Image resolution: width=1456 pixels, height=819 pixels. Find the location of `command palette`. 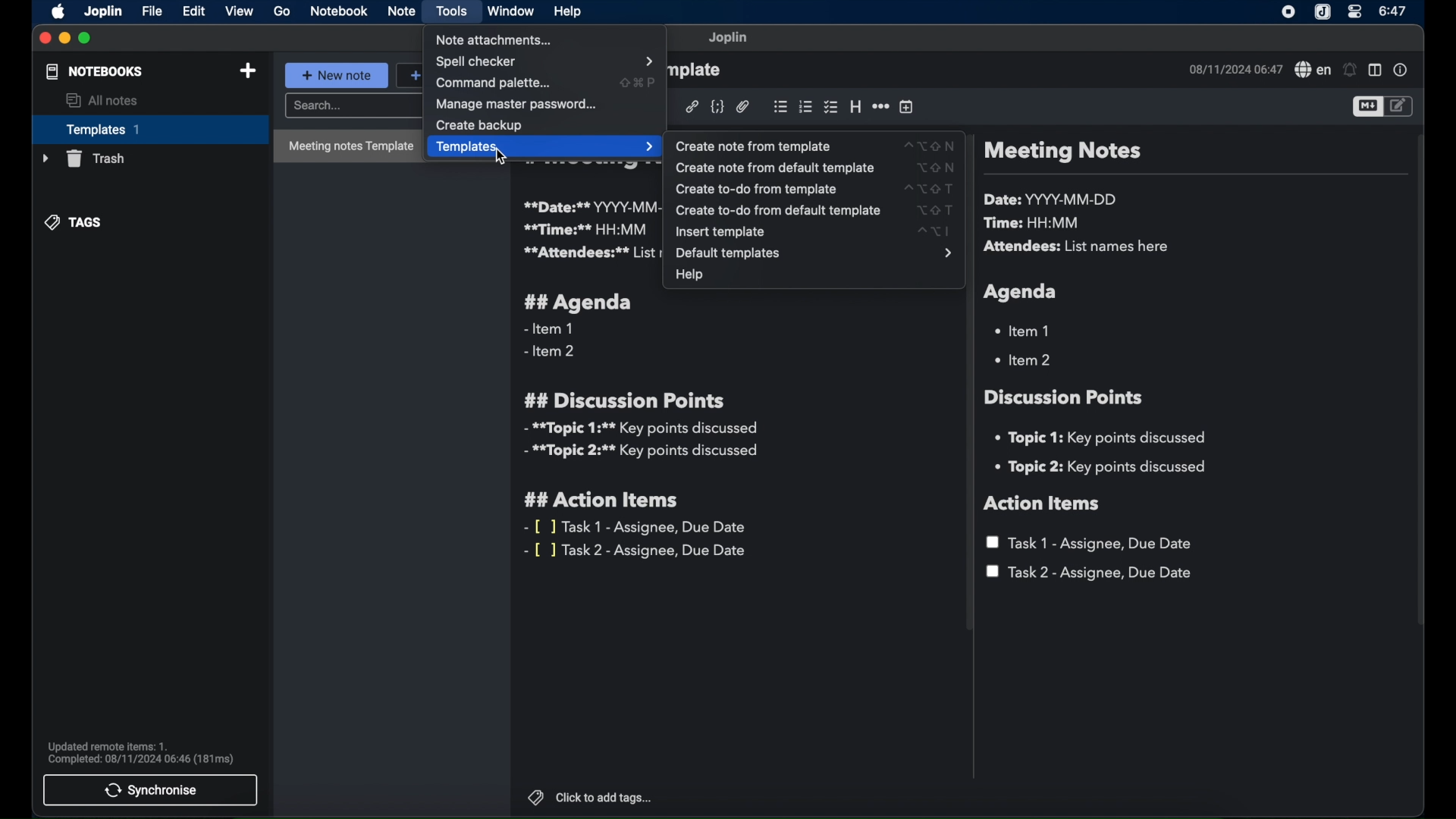

command palette is located at coordinates (545, 83).